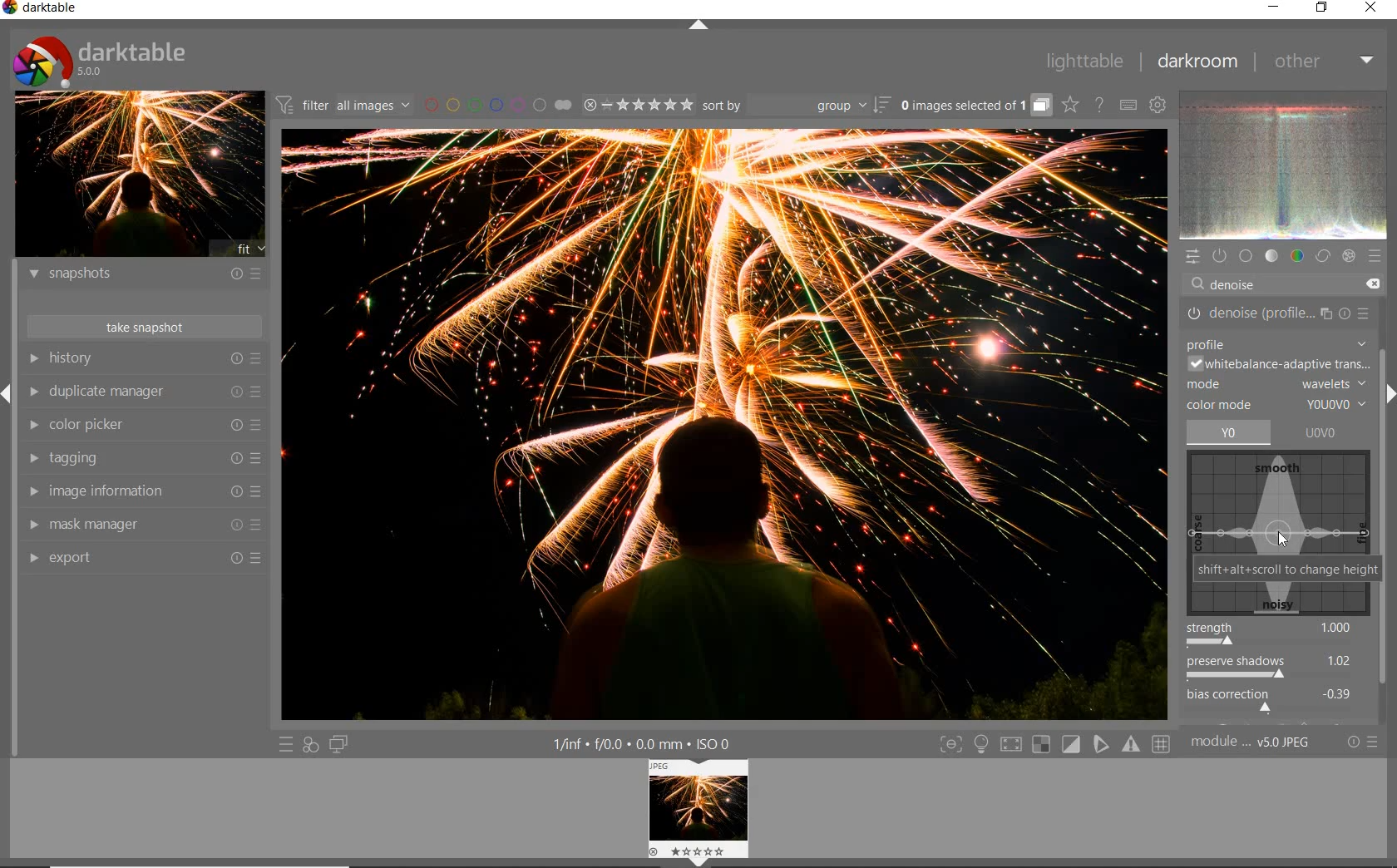  Describe the element at coordinates (1054, 743) in the screenshot. I see `Toggle modes` at that location.